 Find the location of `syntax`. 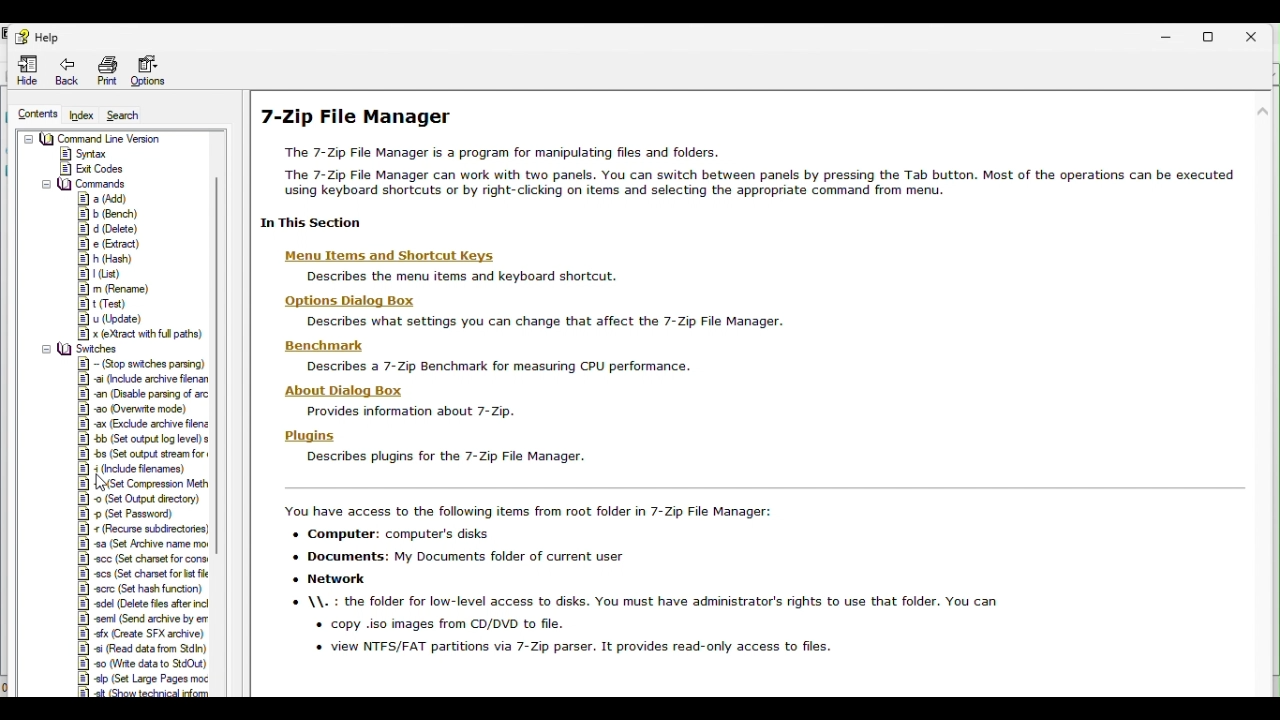

syntax is located at coordinates (84, 154).